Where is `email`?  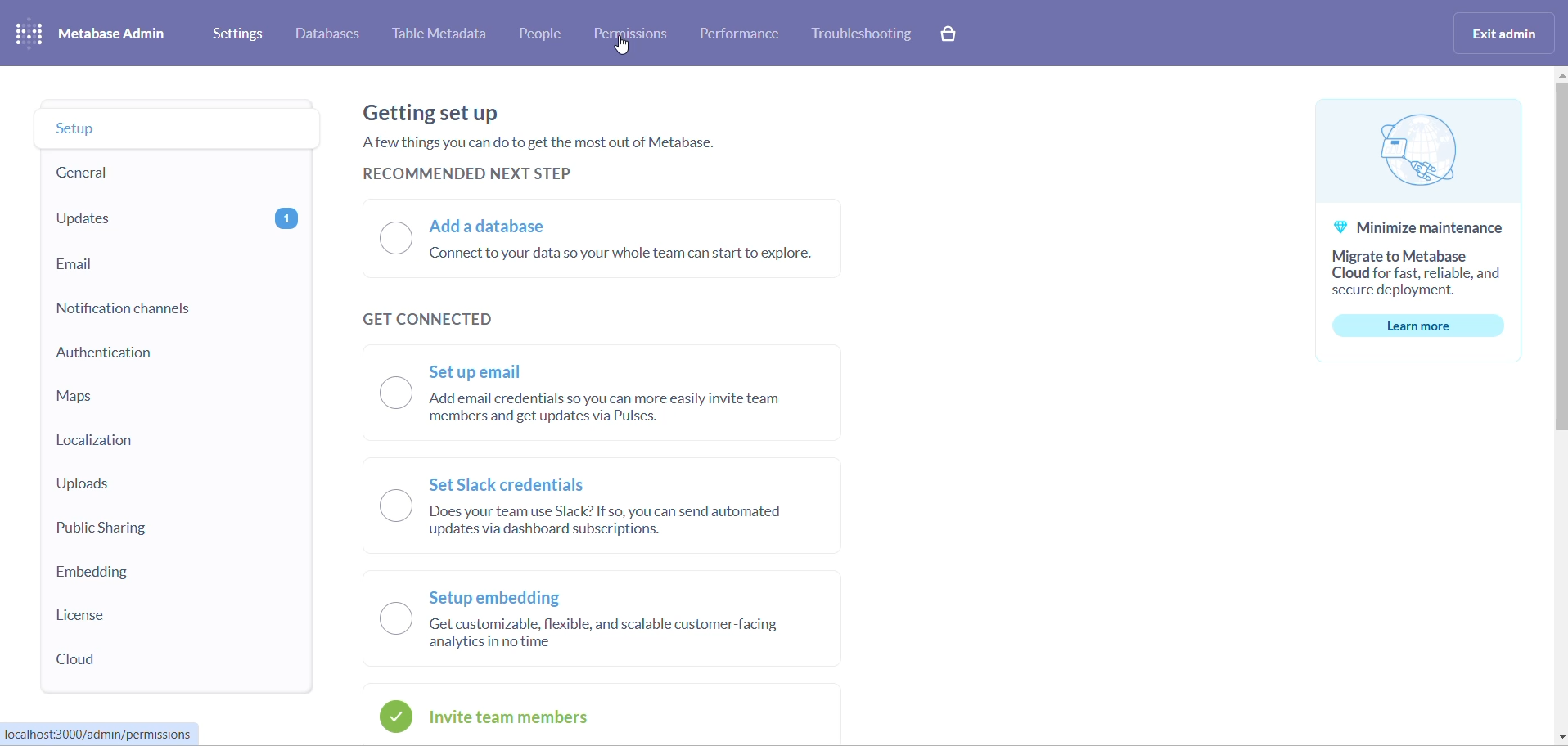 email is located at coordinates (165, 263).